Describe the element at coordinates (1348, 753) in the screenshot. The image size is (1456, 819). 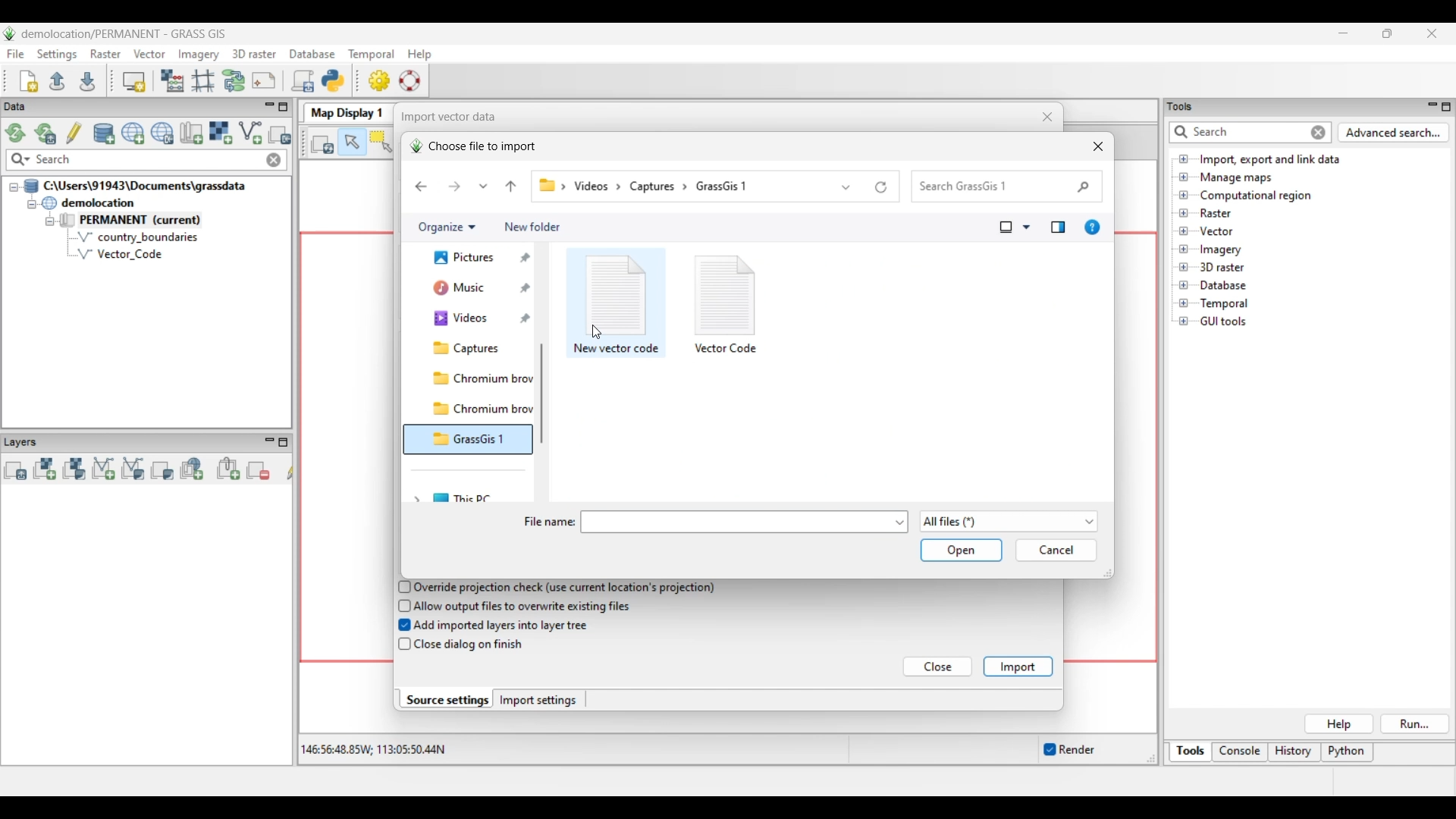
I see `Python` at that location.